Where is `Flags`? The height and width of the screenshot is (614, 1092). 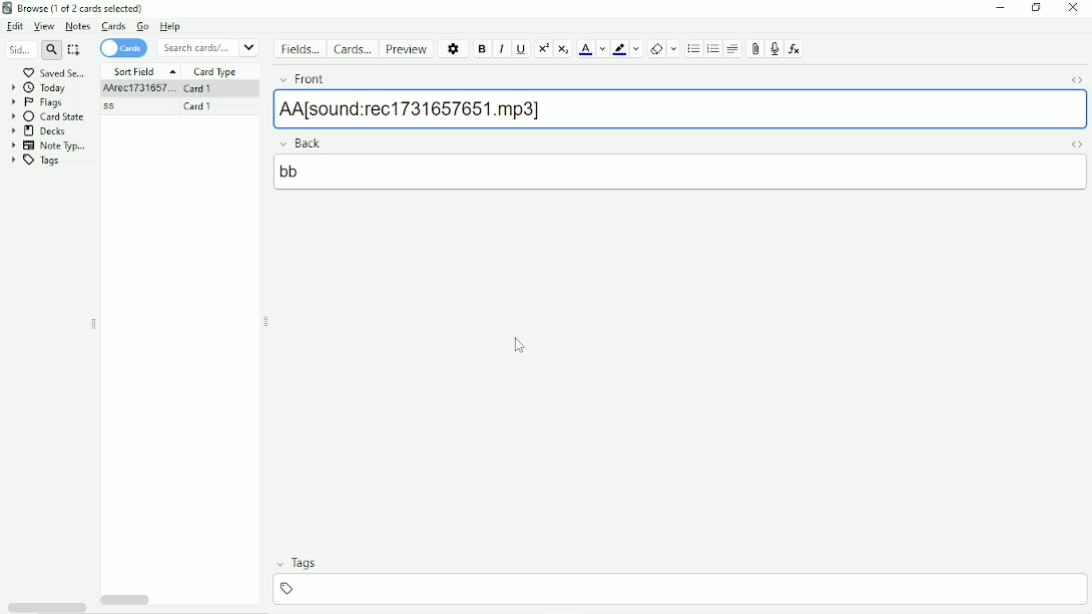
Flags is located at coordinates (43, 103).